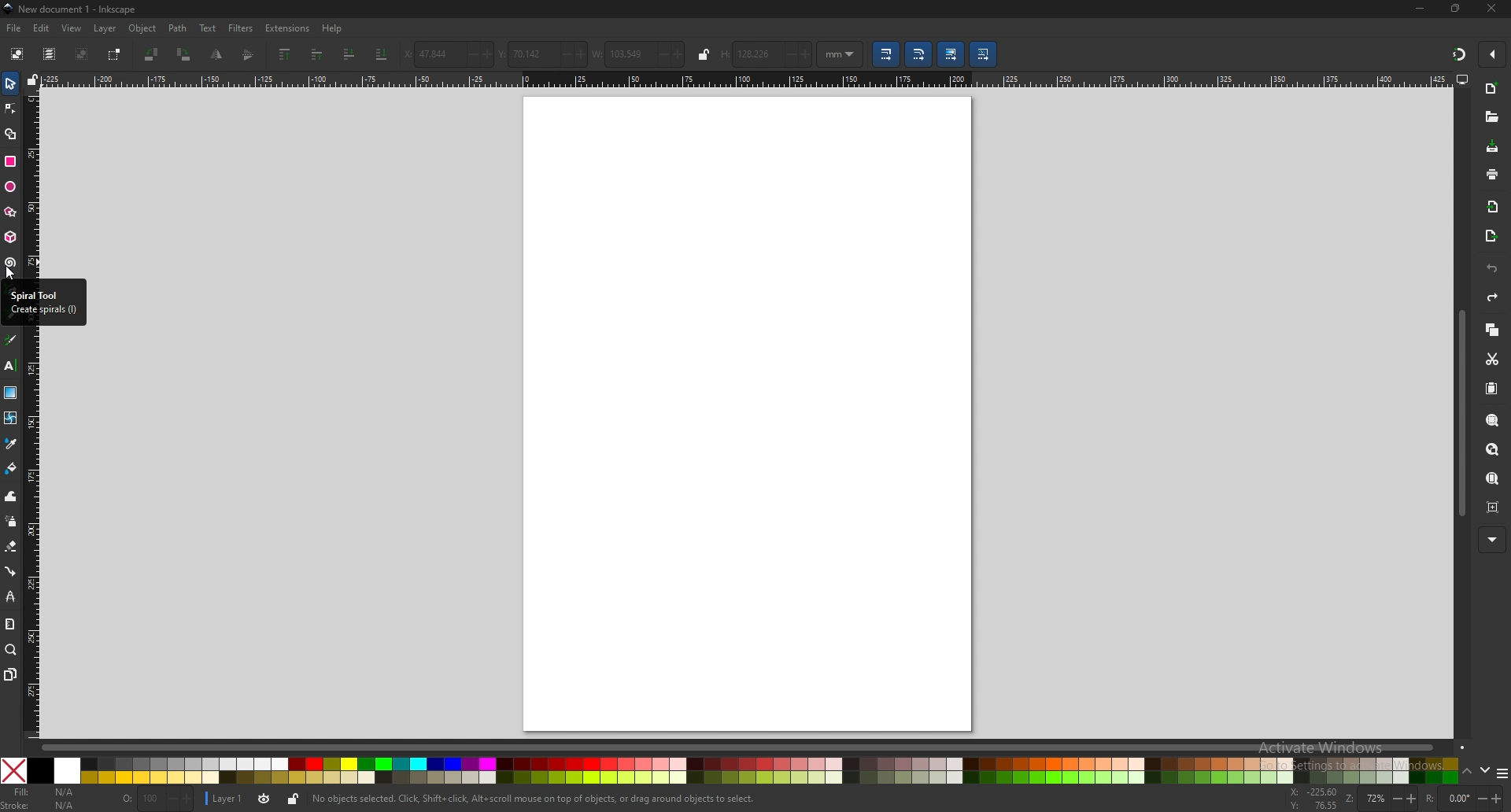 The width and height of the screenshot is (1511, 812). I want to click on path, so click(178, 28).